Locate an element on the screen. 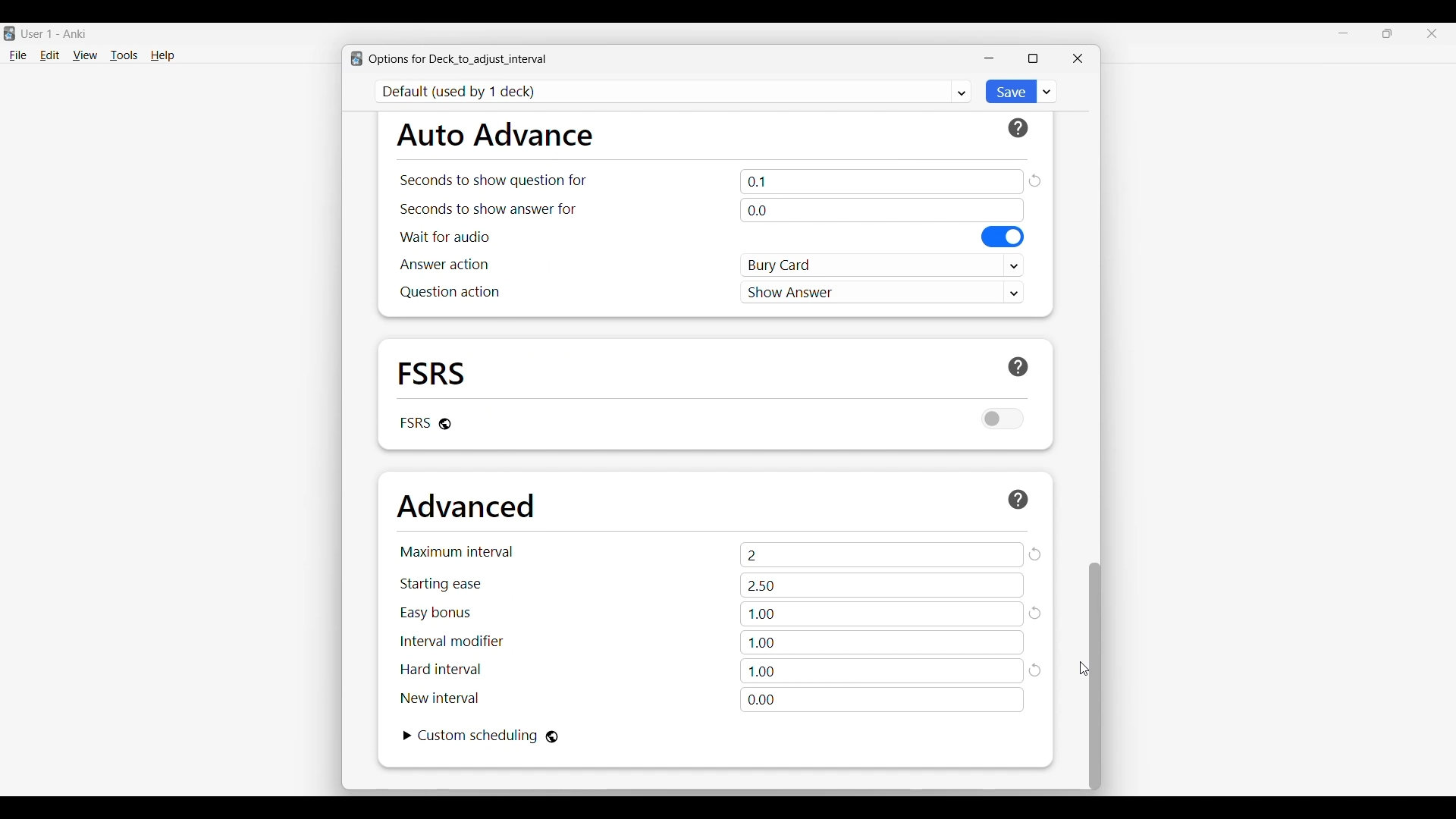 Image resolution: width=1456 pixels, height=819 pixels. Affects the entire collection is located at coordinates (552, 737).